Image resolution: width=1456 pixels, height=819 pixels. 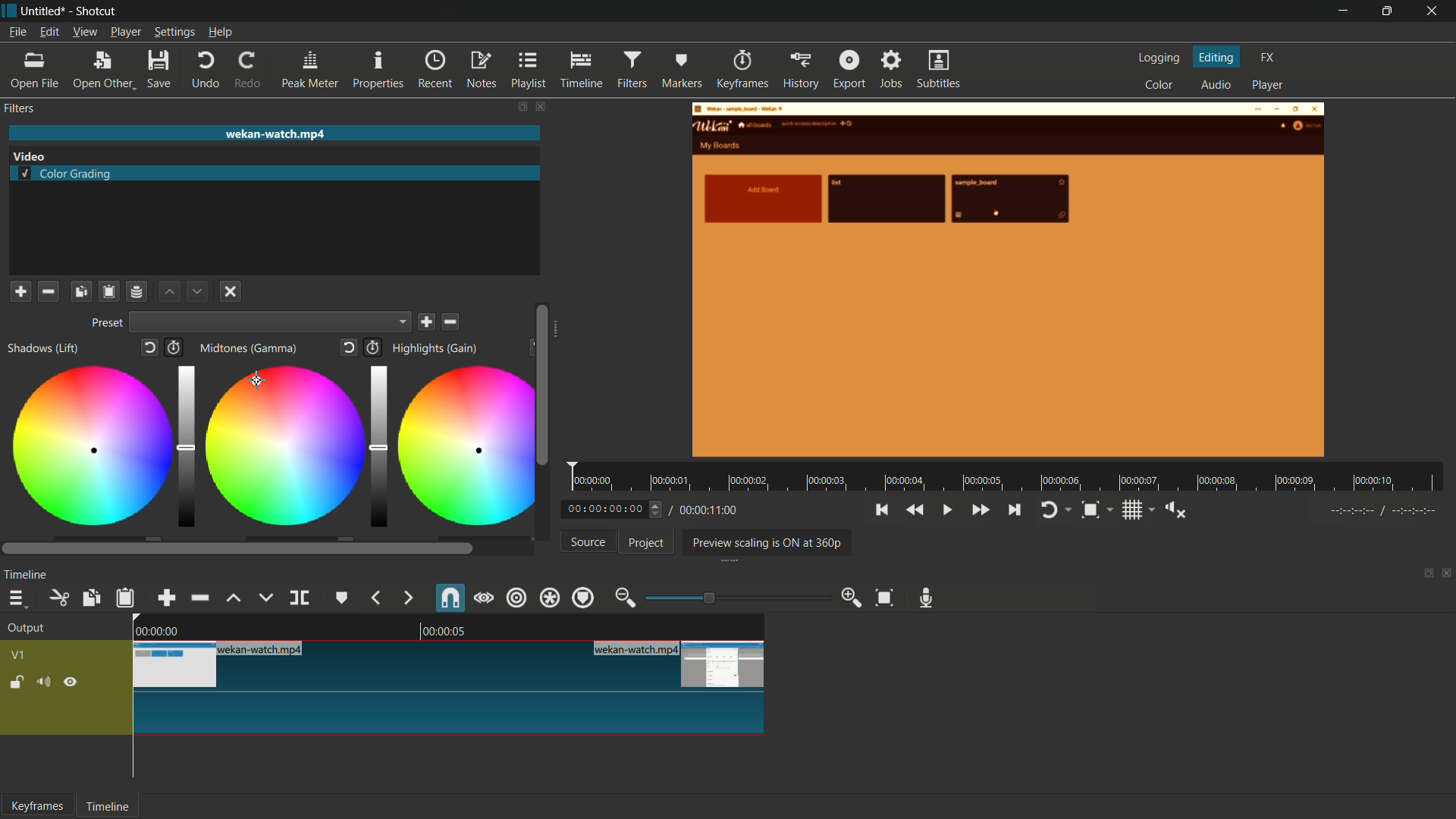 What do you see at coordinates (72, 684) in the screenshot?
I see `hide` at bounding box center [72, 684].